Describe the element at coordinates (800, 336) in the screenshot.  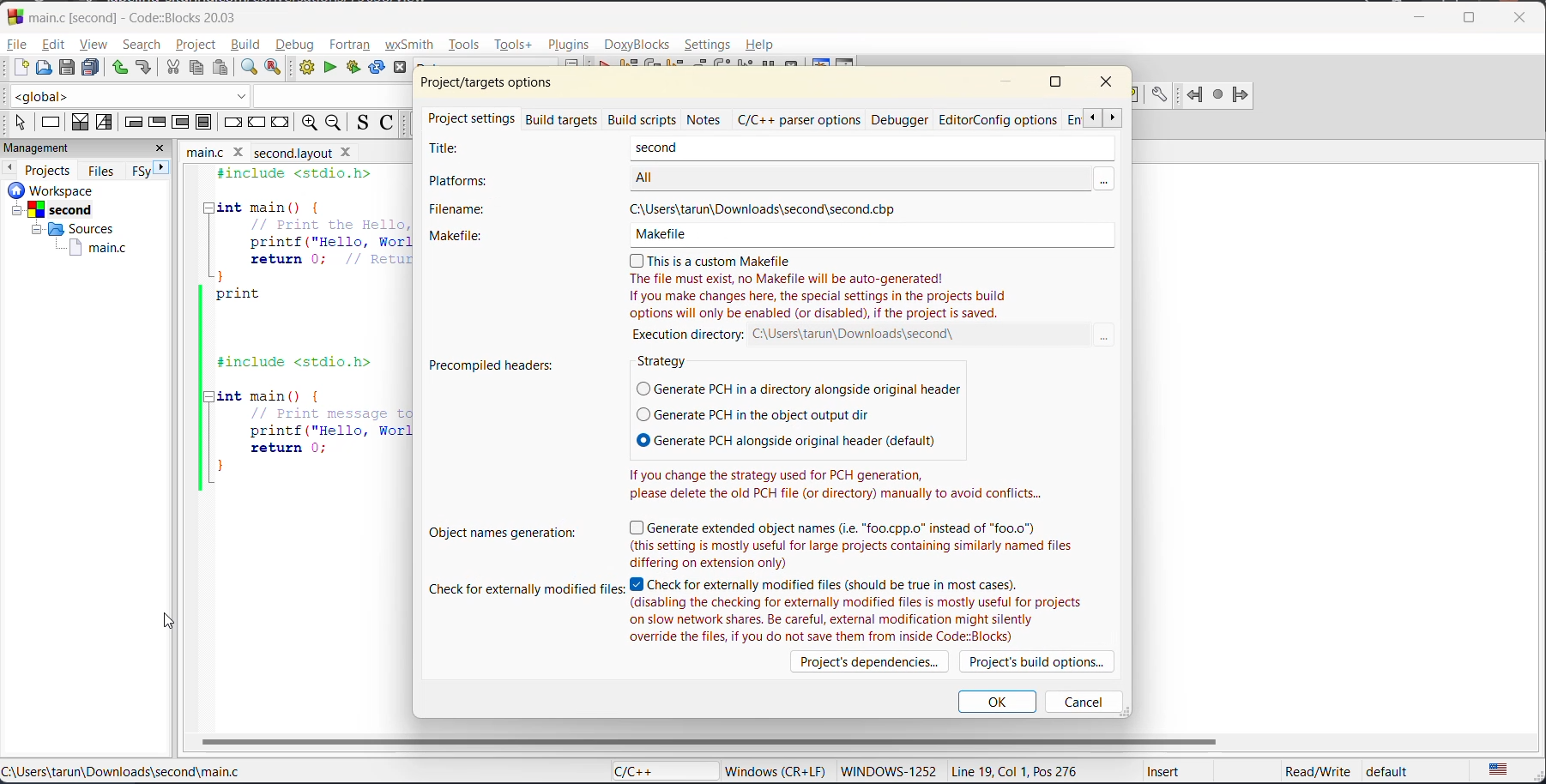
I see `execution directory` at that location.